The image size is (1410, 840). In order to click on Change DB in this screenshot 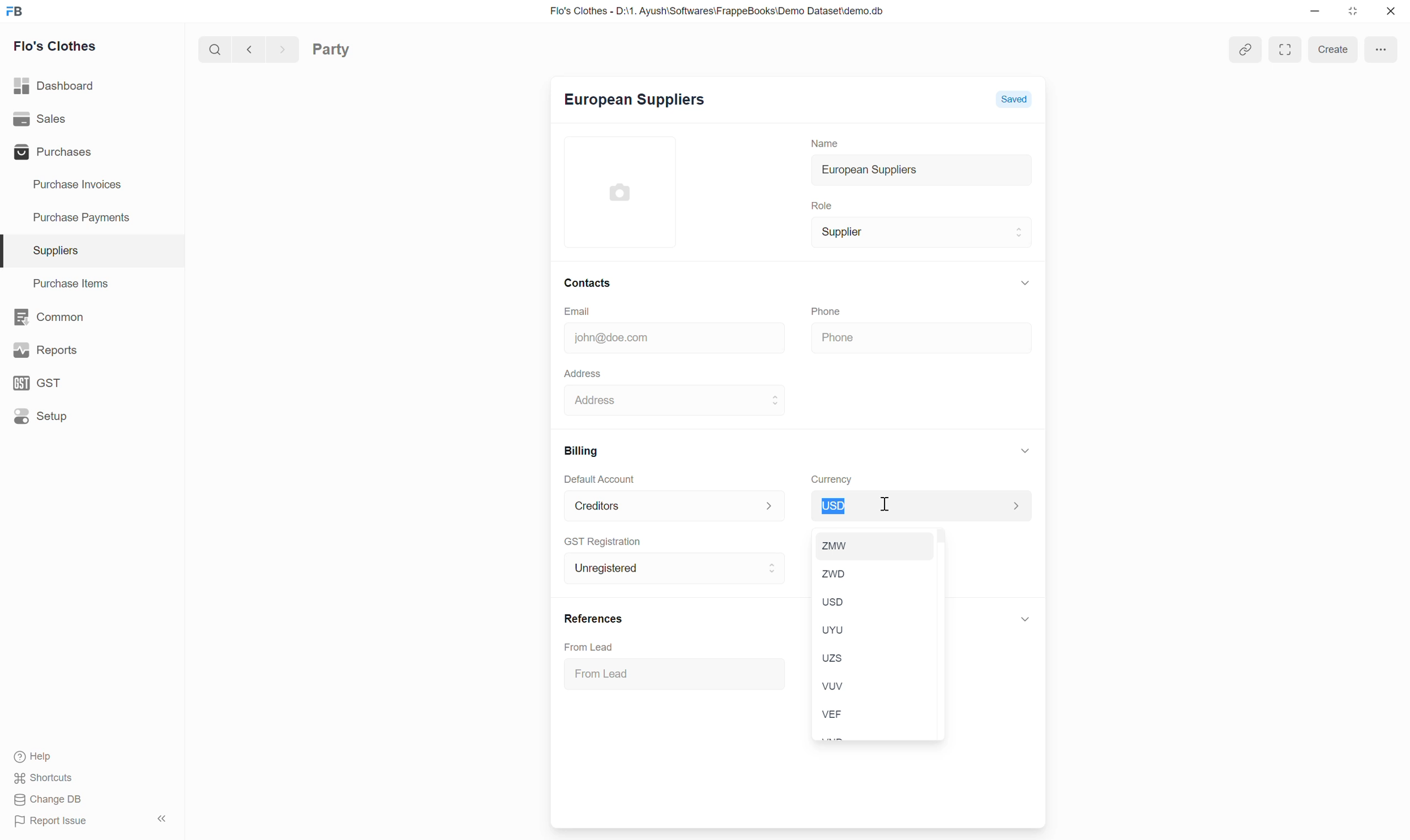, I will do `click(49, 799)`.